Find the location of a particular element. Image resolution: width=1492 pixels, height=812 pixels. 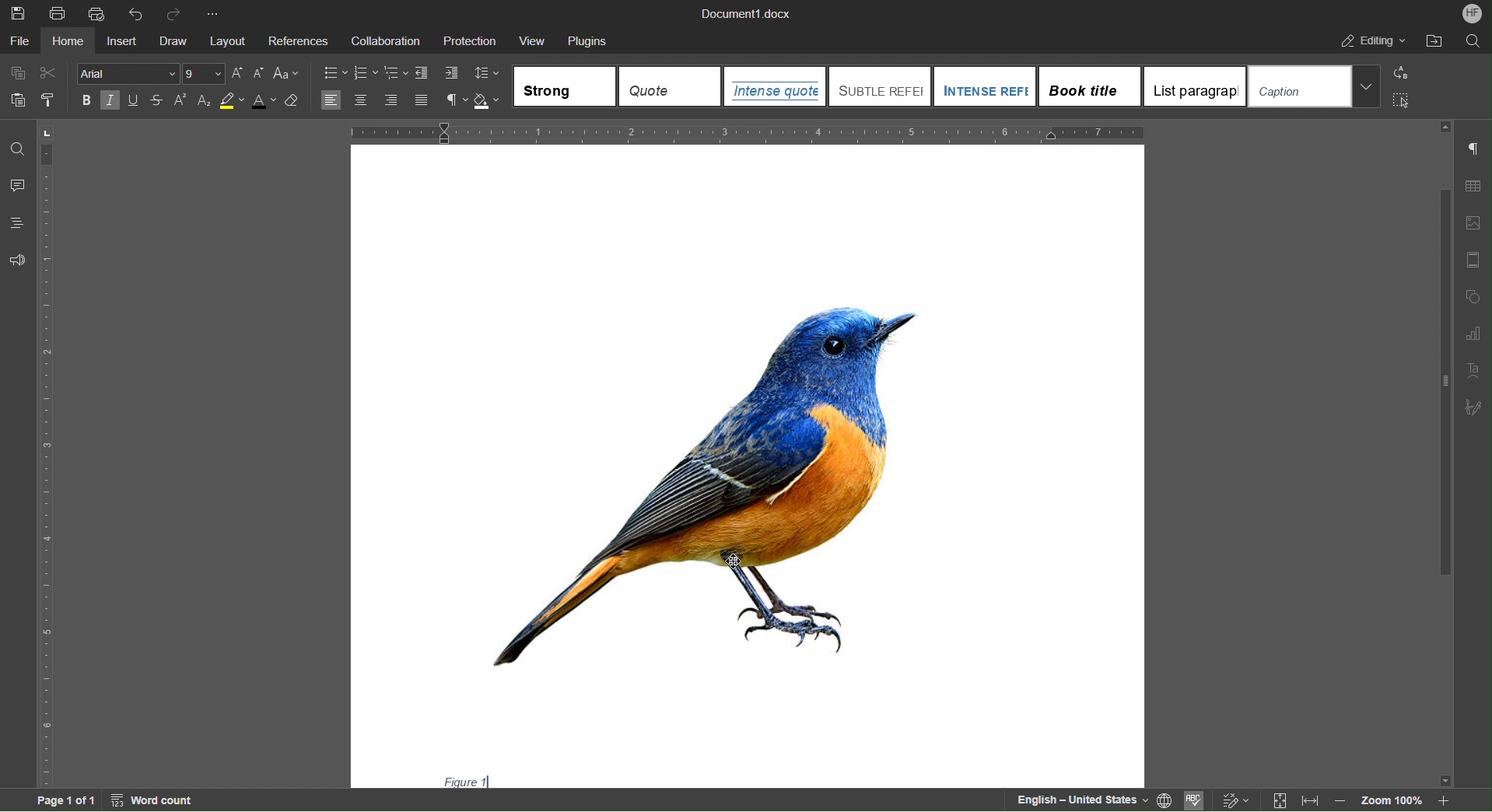

Zoom is located at coordinates (1390, 800).